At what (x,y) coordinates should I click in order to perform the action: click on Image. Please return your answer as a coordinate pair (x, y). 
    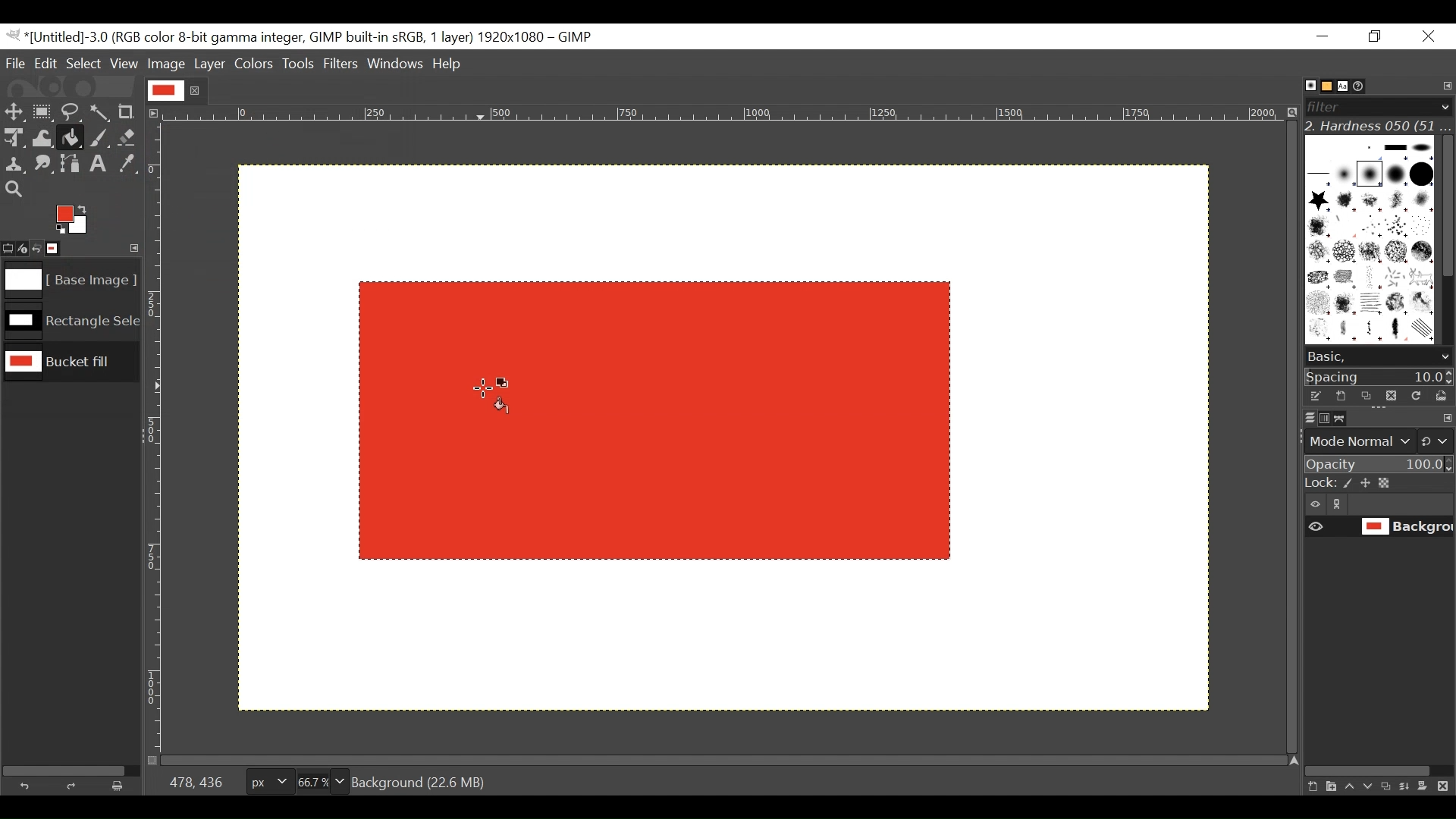
    Looking at the image, I should click on (74, 364).